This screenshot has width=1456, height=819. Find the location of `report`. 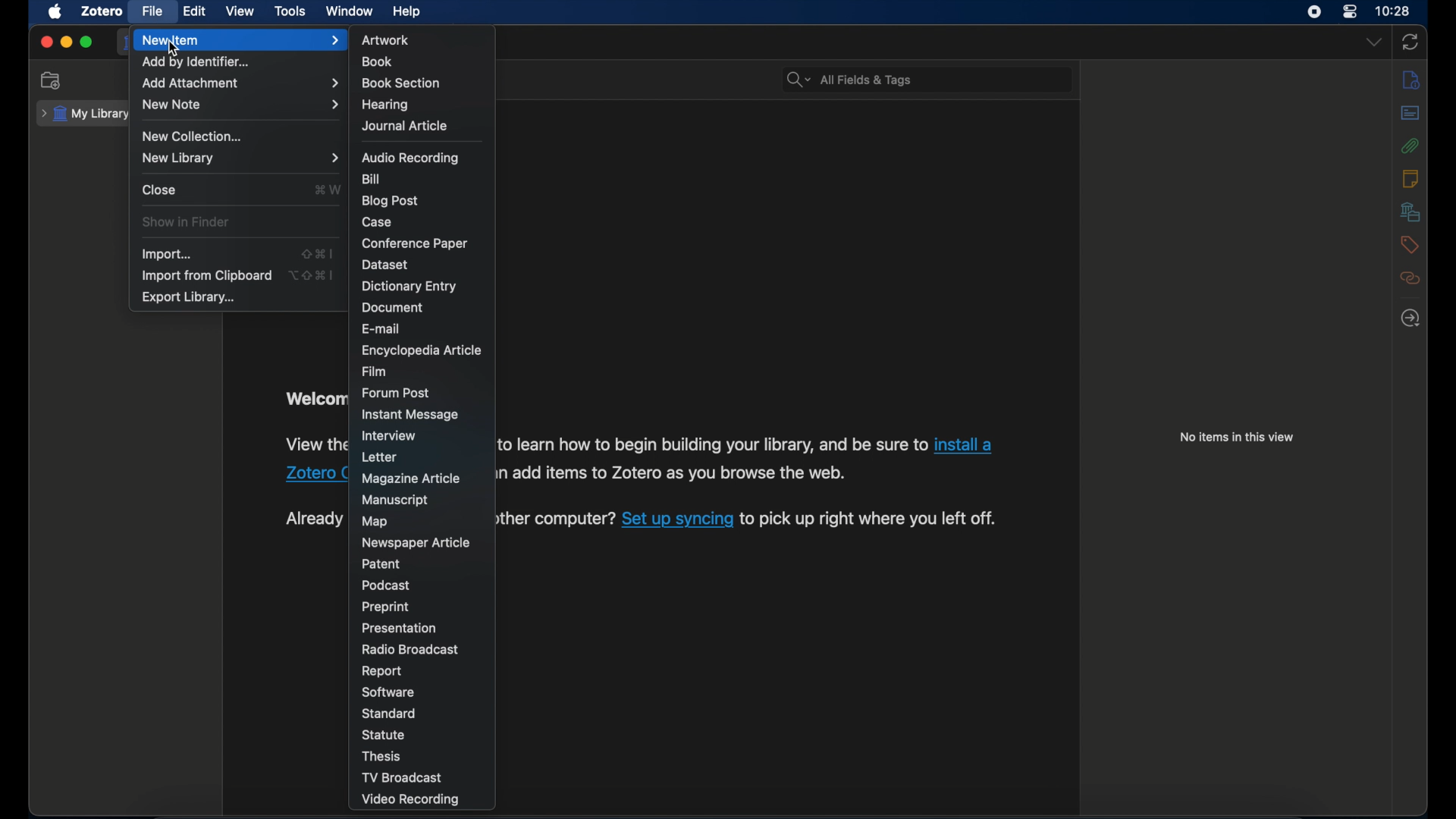

report is located at coordinates (381, 672).